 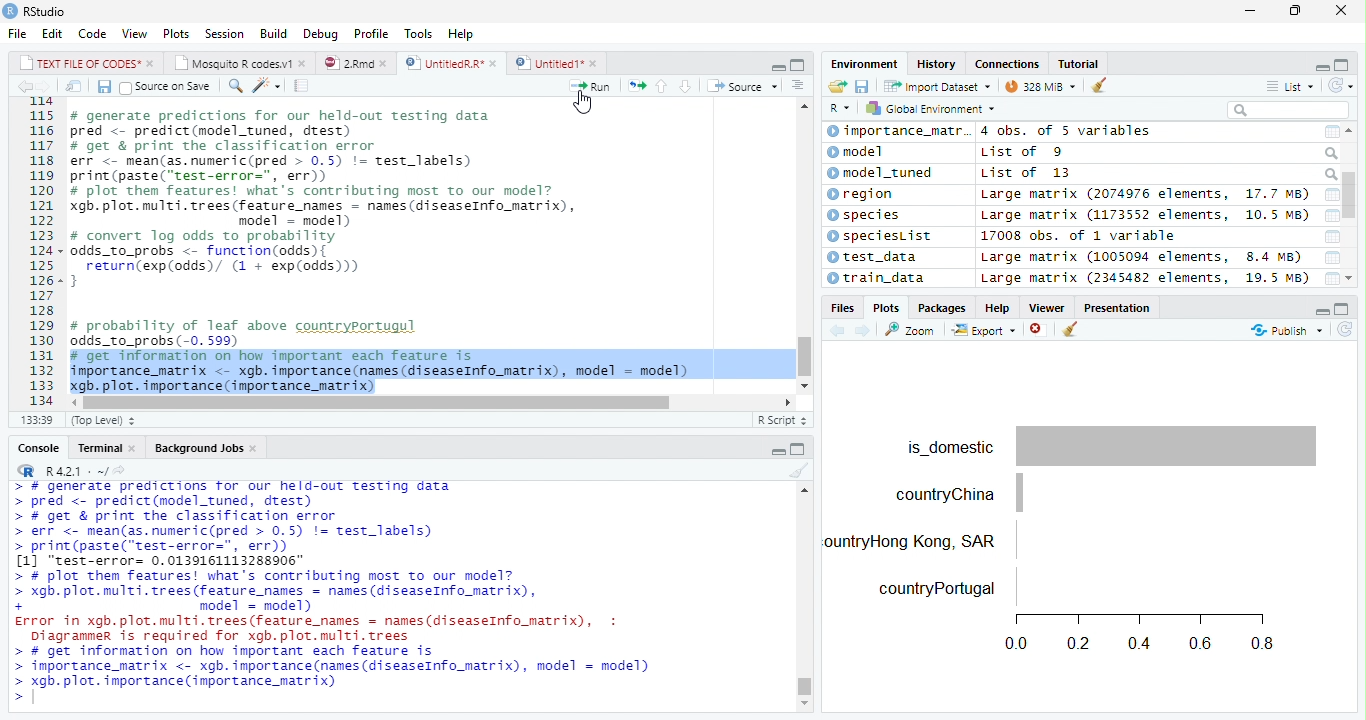 I want to click on Importance _matr., so click(x=897, y=131).